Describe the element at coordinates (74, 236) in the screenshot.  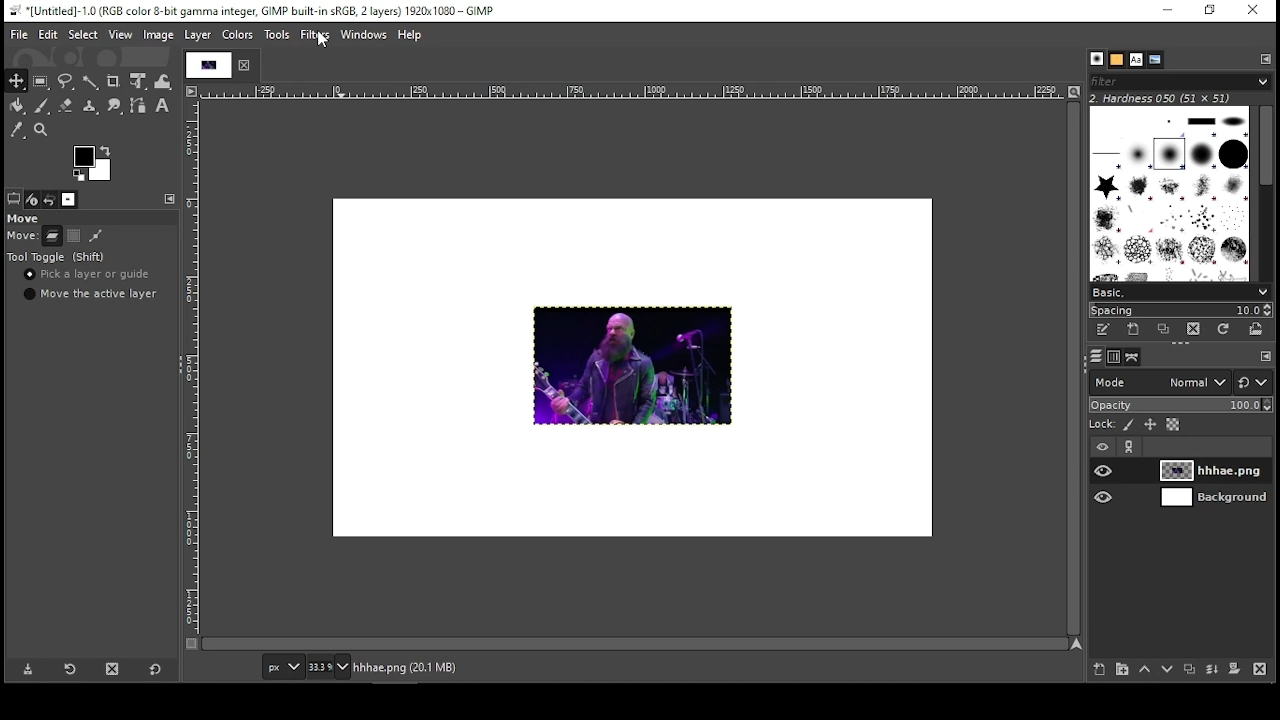
I see `move channels` at that location.